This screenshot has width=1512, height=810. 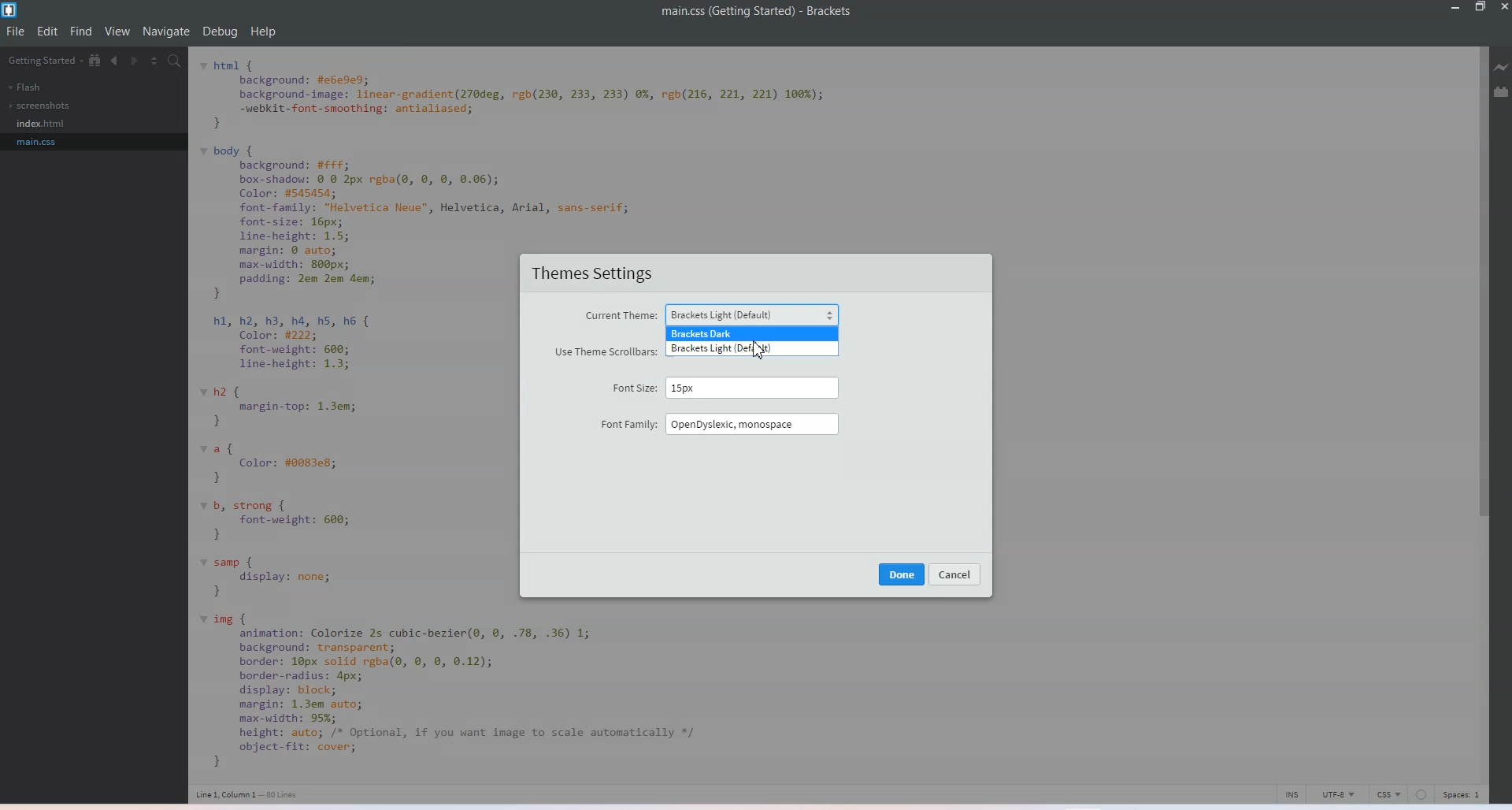 What do you see at coordinates (1391, 794) in the screenshot?
I see `CSS` at bounding box center [1391, 794].